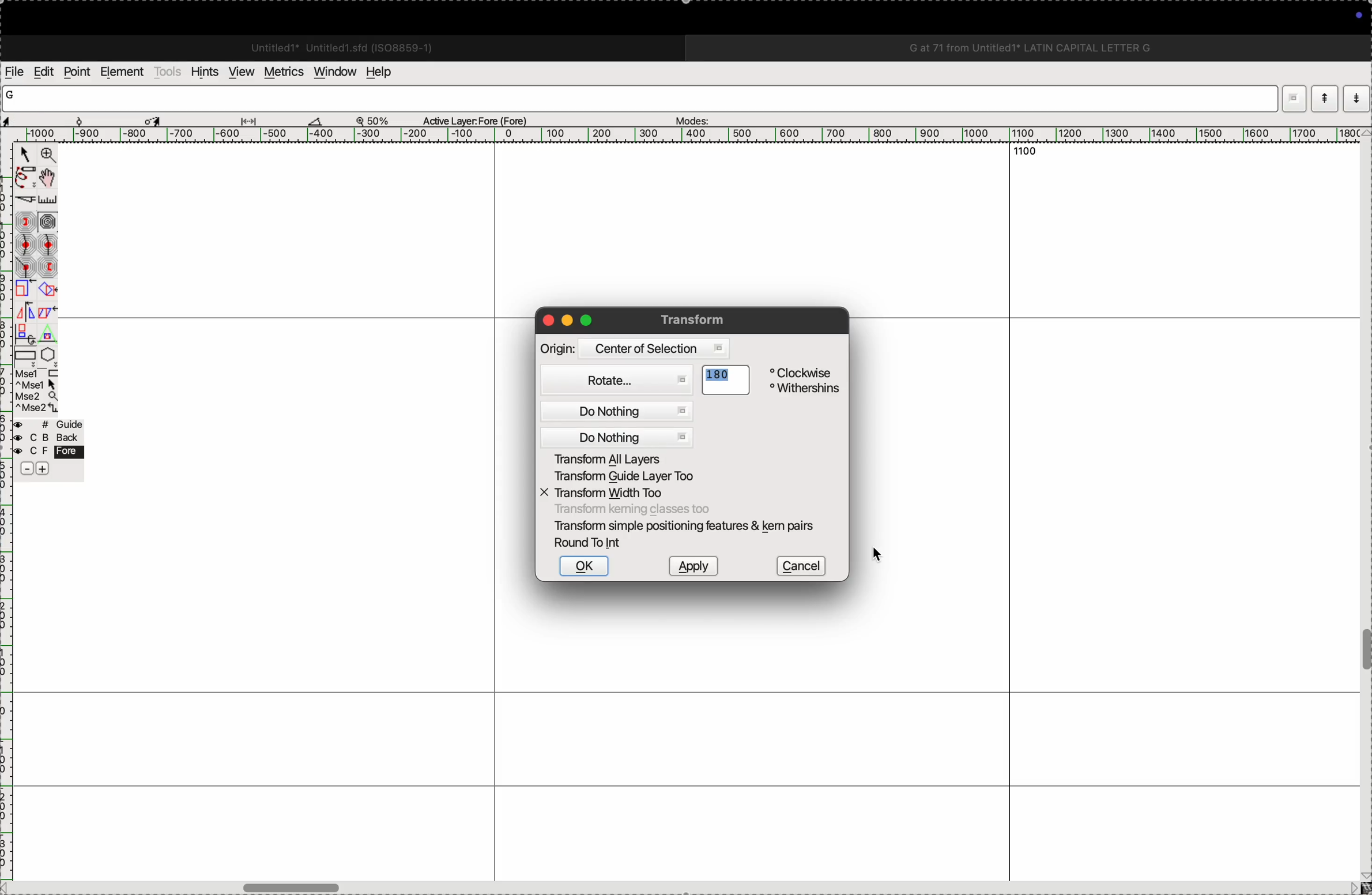 The image size is (1372, 895). I want to click on ruler, so click(8, 689).